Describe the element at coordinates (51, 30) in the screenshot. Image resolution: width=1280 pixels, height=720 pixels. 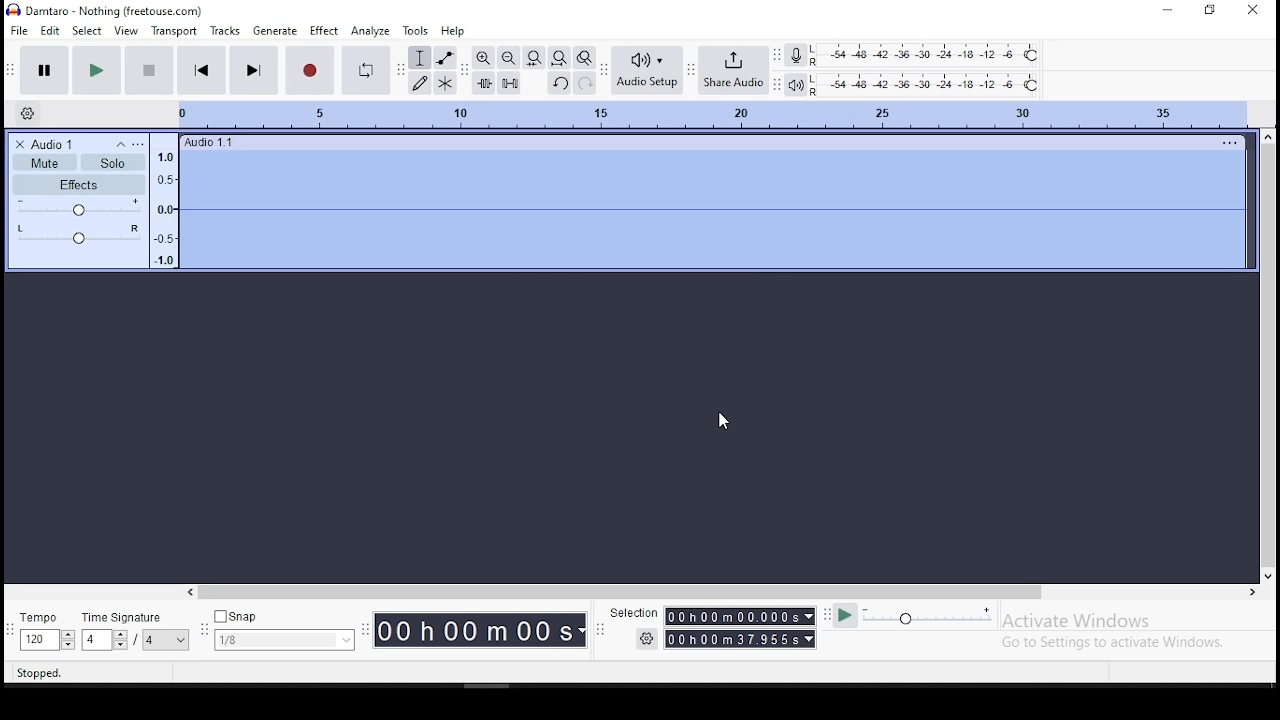
I see `edit` at that location.